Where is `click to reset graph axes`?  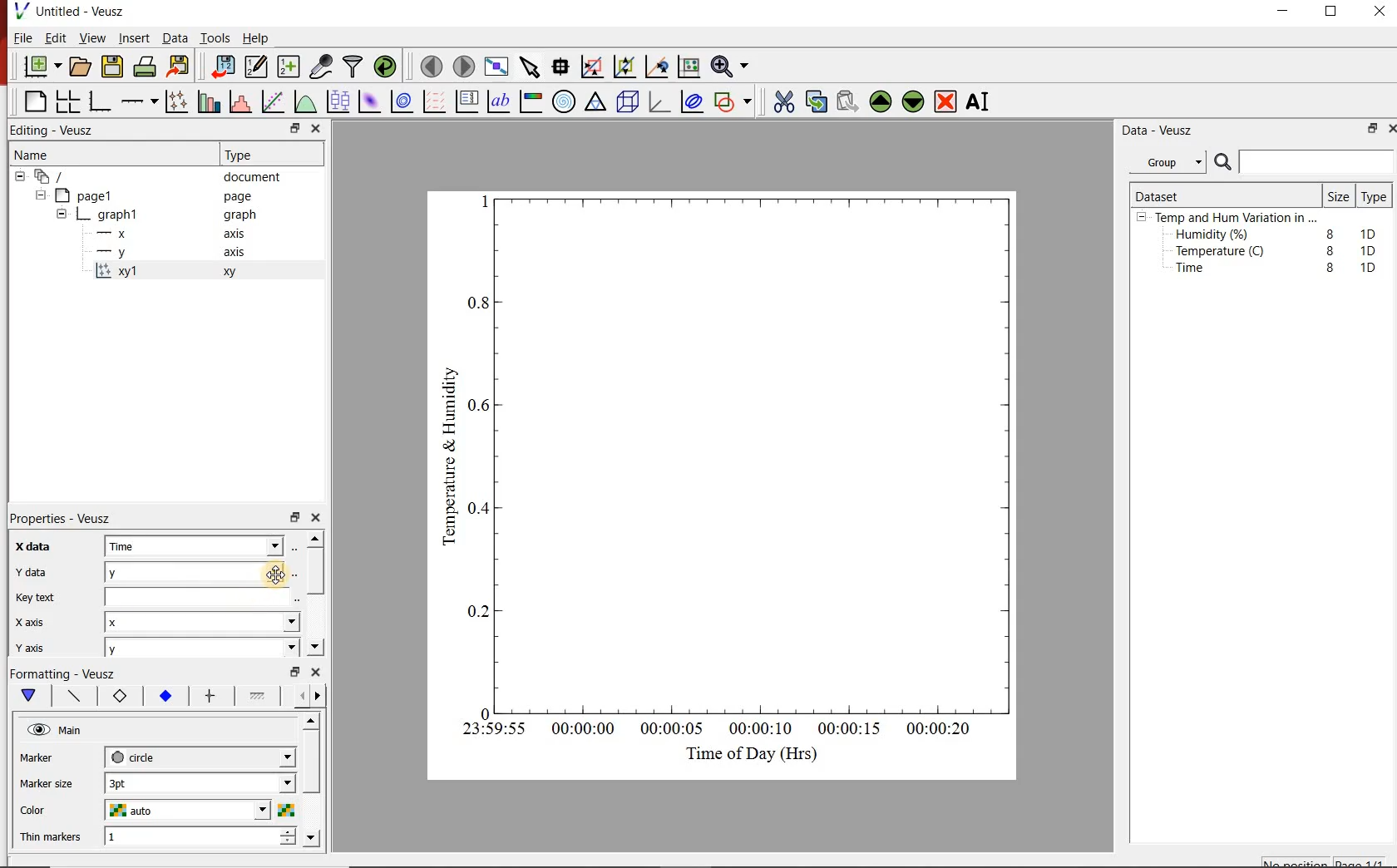 click to reset graph axes is located at coordinates (686, 67).